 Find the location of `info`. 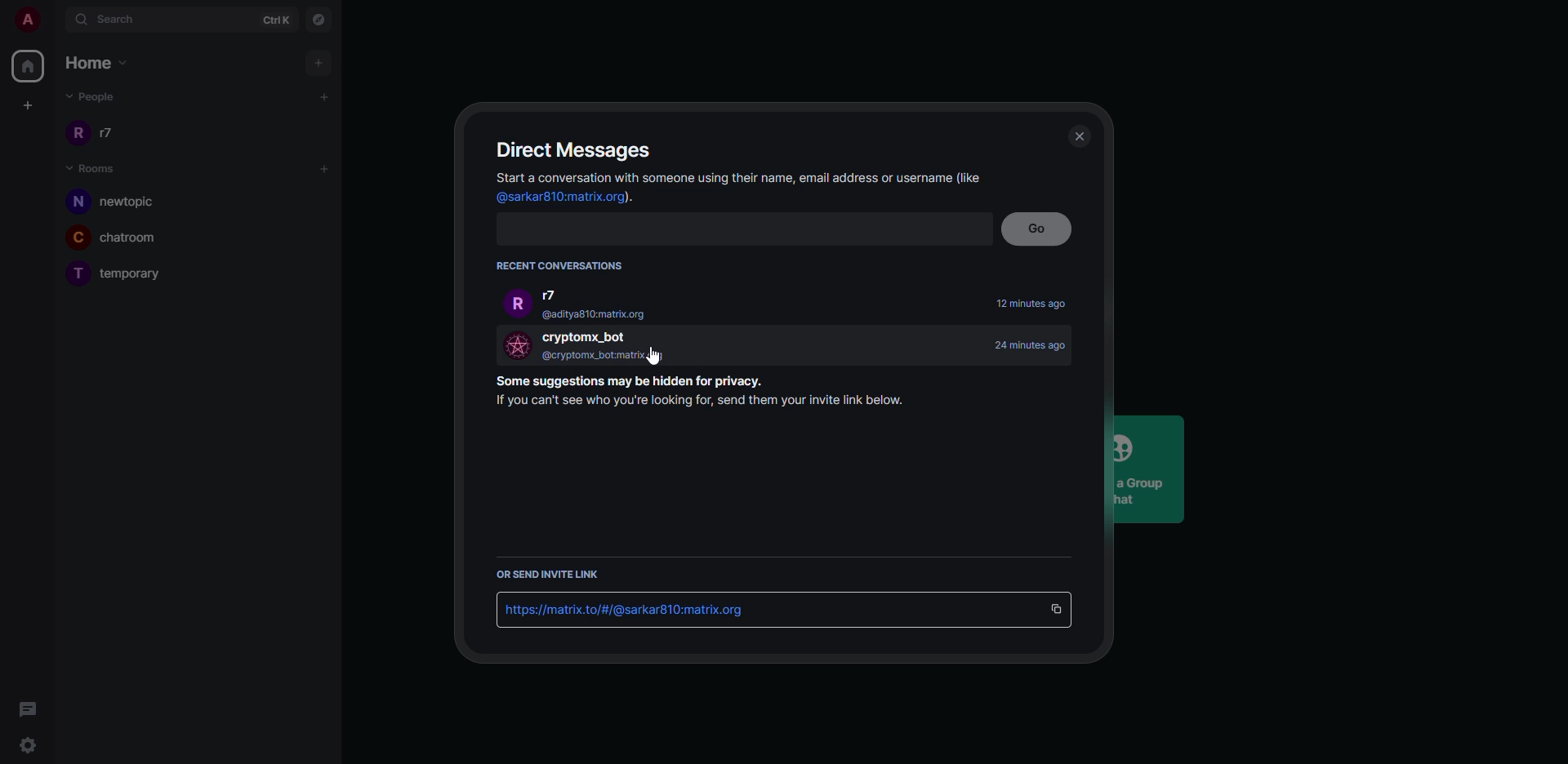

info is located at coordinates (738, 177).